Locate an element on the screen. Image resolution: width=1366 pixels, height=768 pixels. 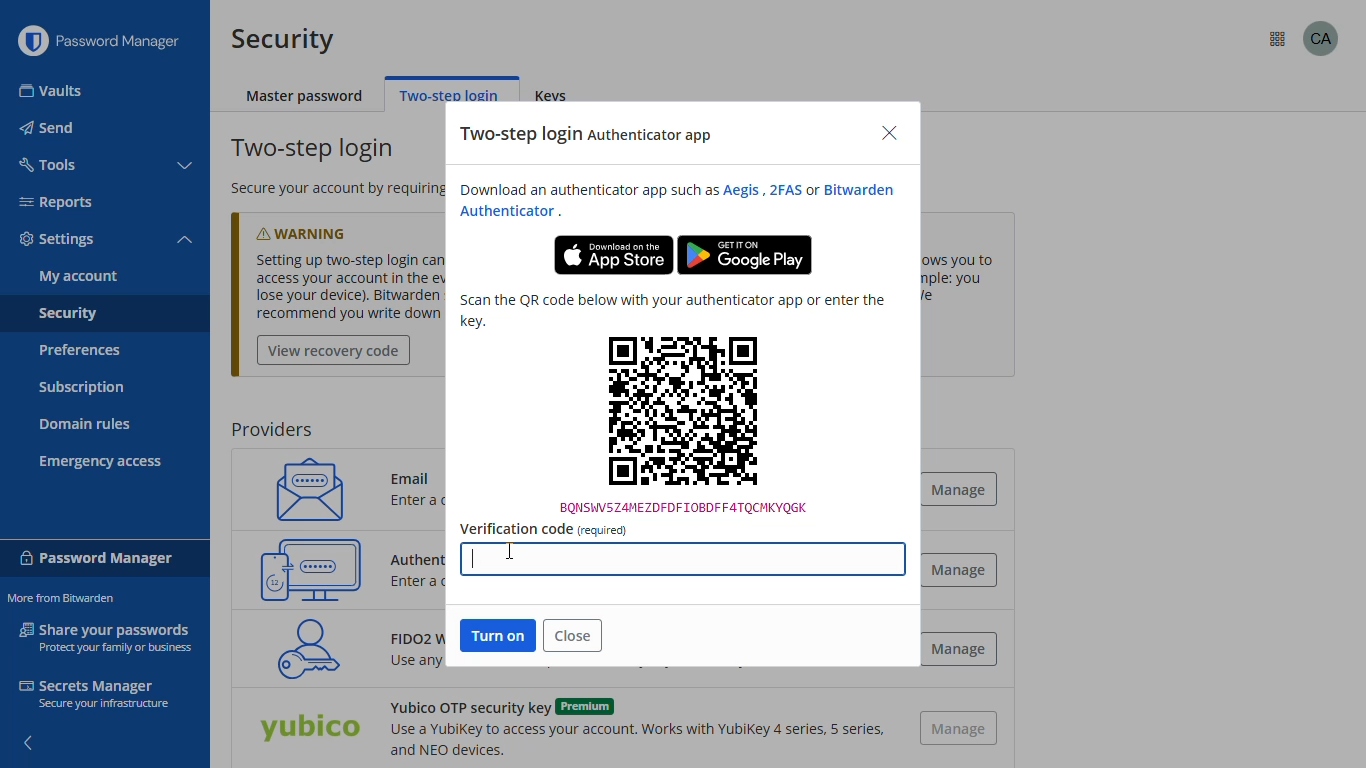
tools is located at coordinates (46, 163).